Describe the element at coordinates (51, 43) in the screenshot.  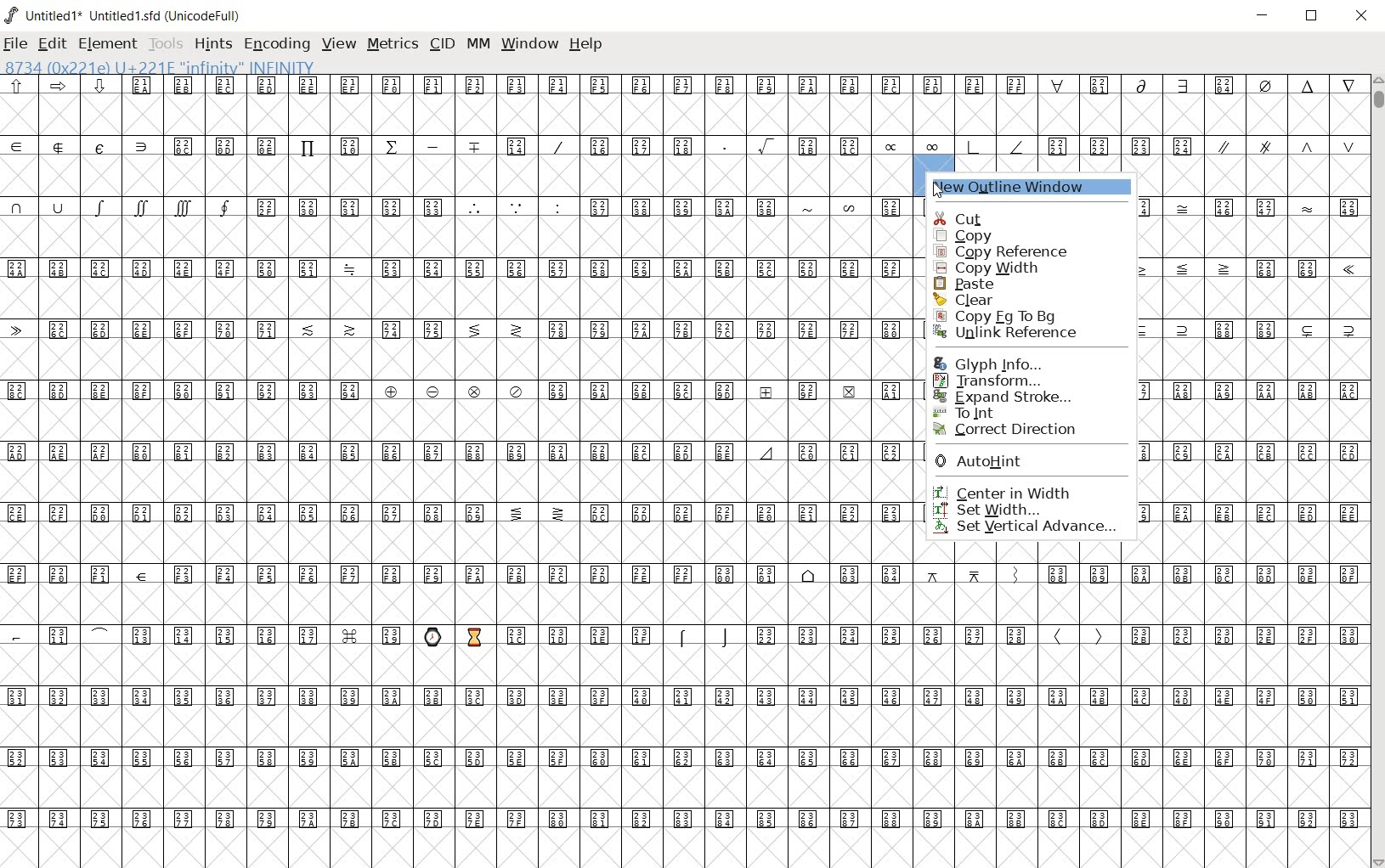
I see `edit` at that location.